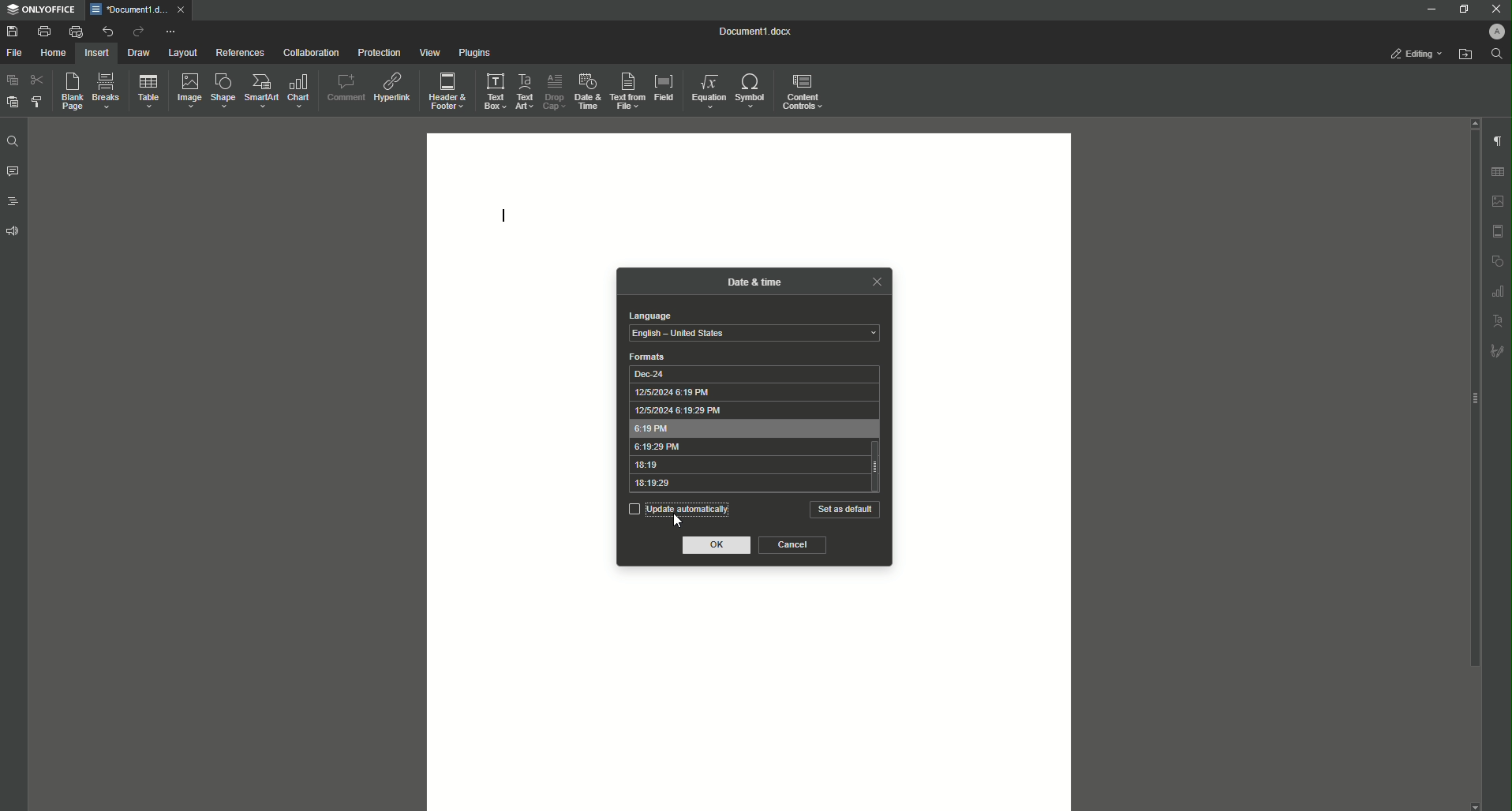 The image size is (1512, 811). Describe the element at coordinates (628, 92) in the screenshot. I see `Text From File` at that location.